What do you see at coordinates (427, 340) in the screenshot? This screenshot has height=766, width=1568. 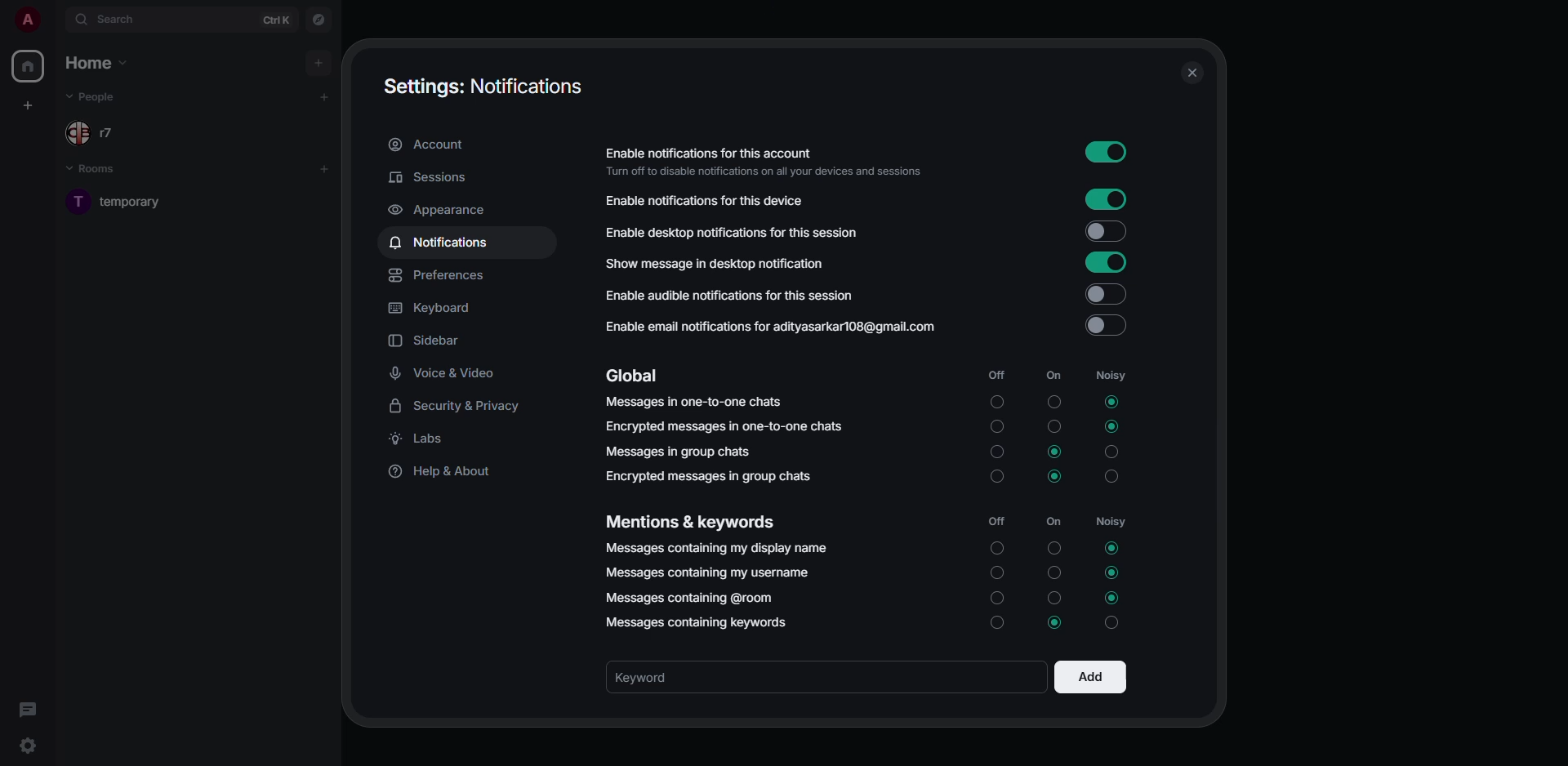 I see `sidebar` at bounding box center [427, 340].